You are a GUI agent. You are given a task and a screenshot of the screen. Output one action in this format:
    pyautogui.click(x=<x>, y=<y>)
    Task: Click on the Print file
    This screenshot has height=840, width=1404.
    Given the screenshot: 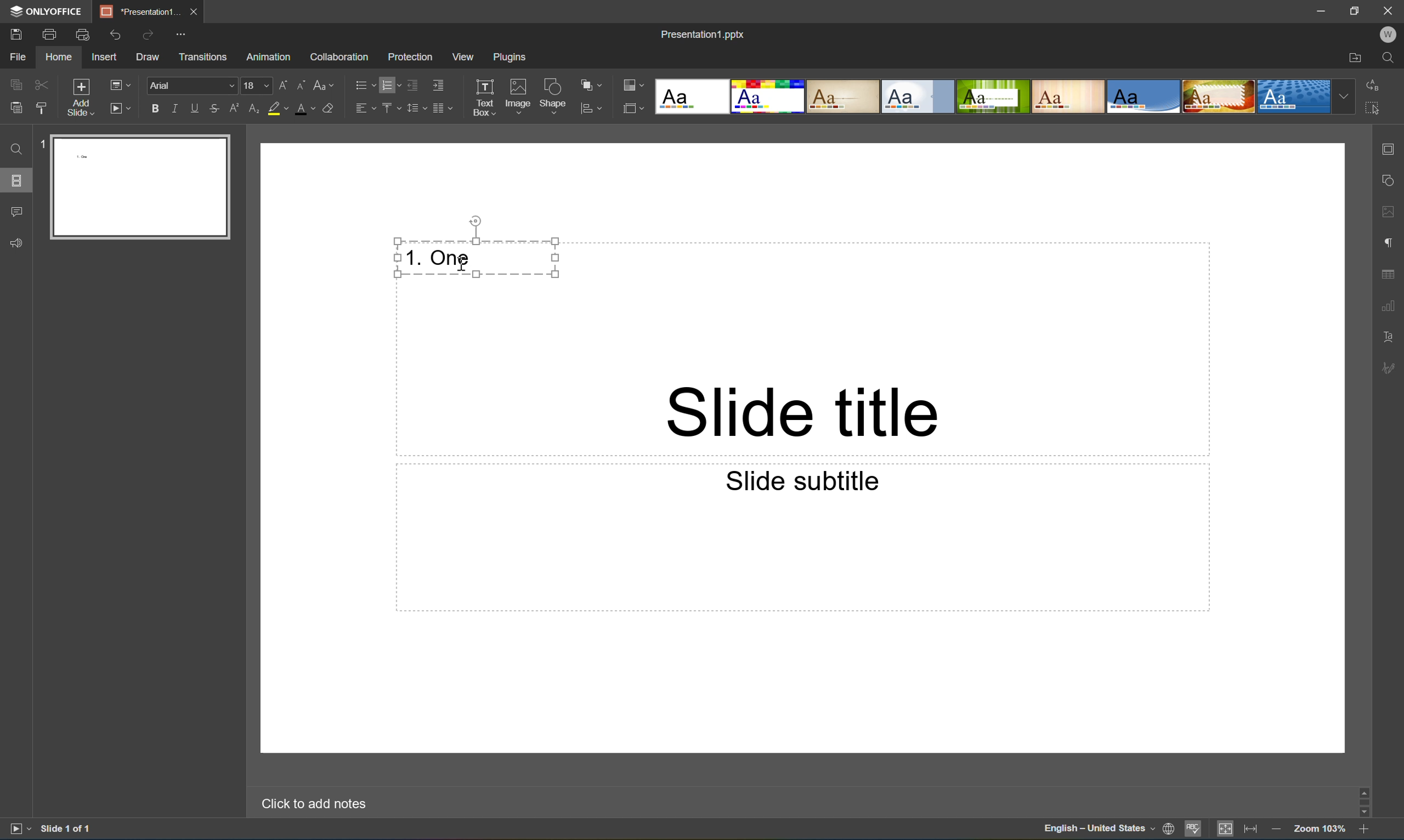 What is the action you would take?
    pyautogui.click(x=51, y=36)
    